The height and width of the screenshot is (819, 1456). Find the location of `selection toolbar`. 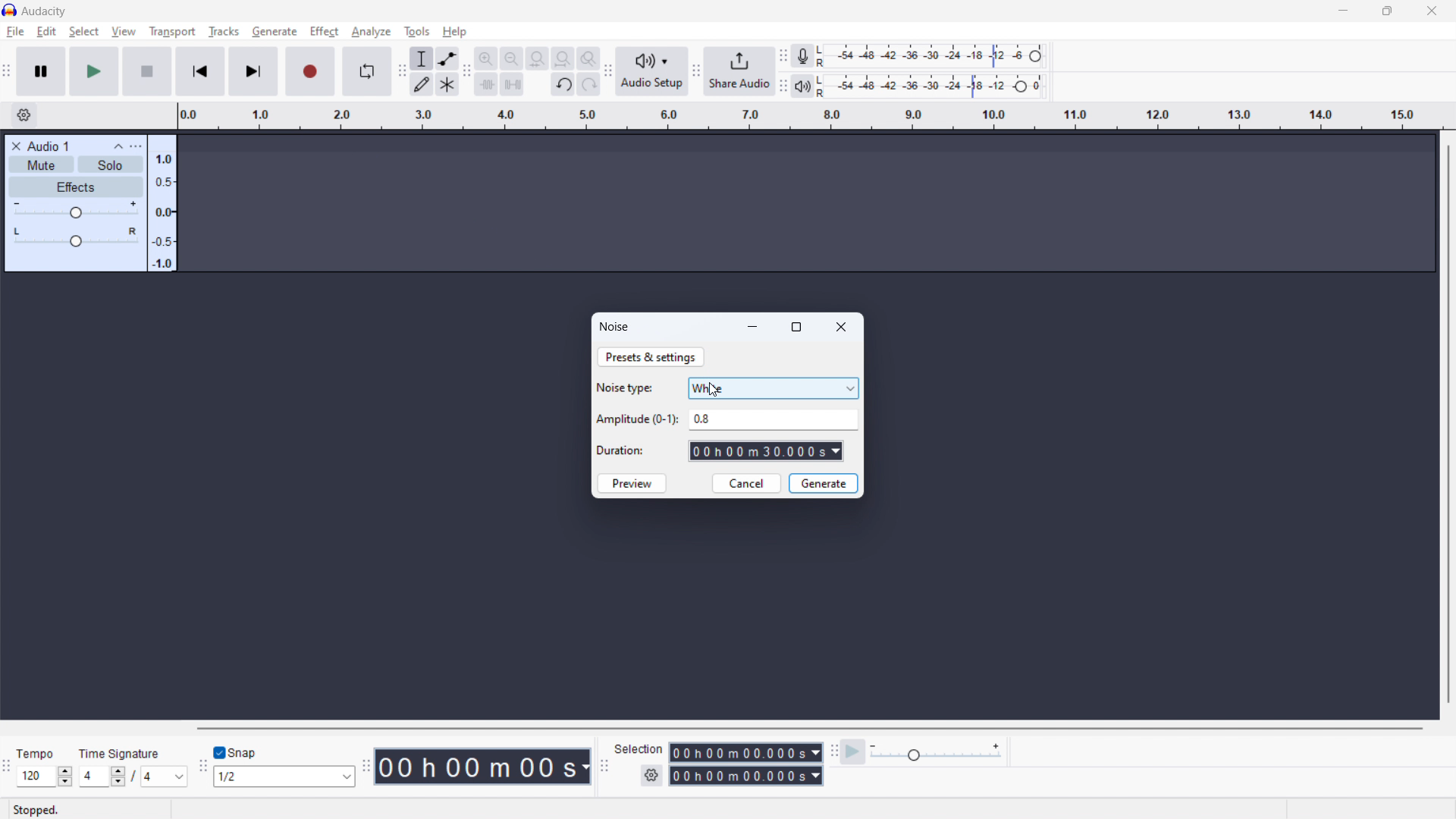

selection toolbar is located at coordinates (604, 767).